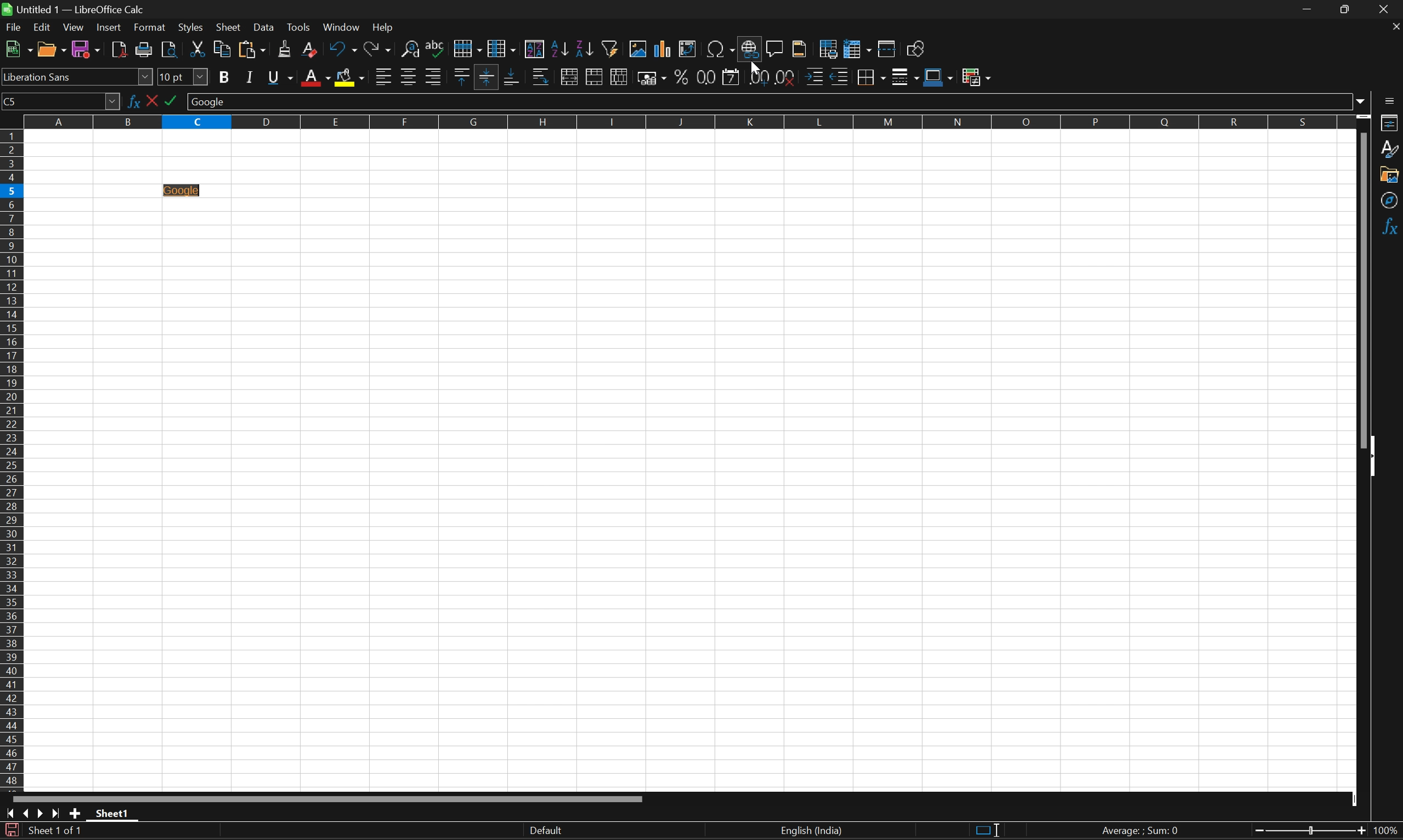 Image resolution: width=1403 pixels, height=840 pixels. Describe the element at coordinates (18, 49) in the screenshot. I see `New` at that location.